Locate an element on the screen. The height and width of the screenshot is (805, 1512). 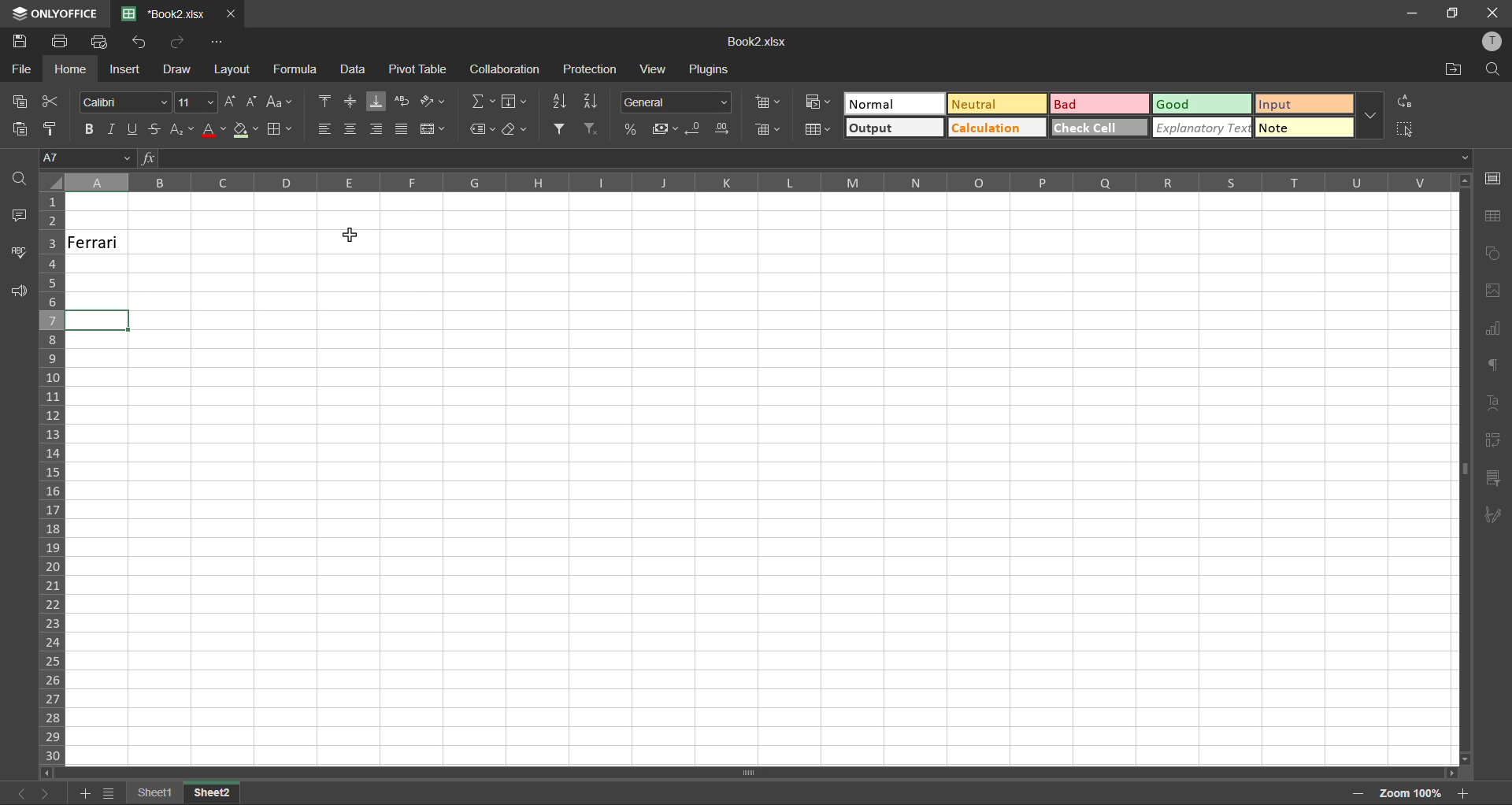
close is located at coordinates (1492, 13).